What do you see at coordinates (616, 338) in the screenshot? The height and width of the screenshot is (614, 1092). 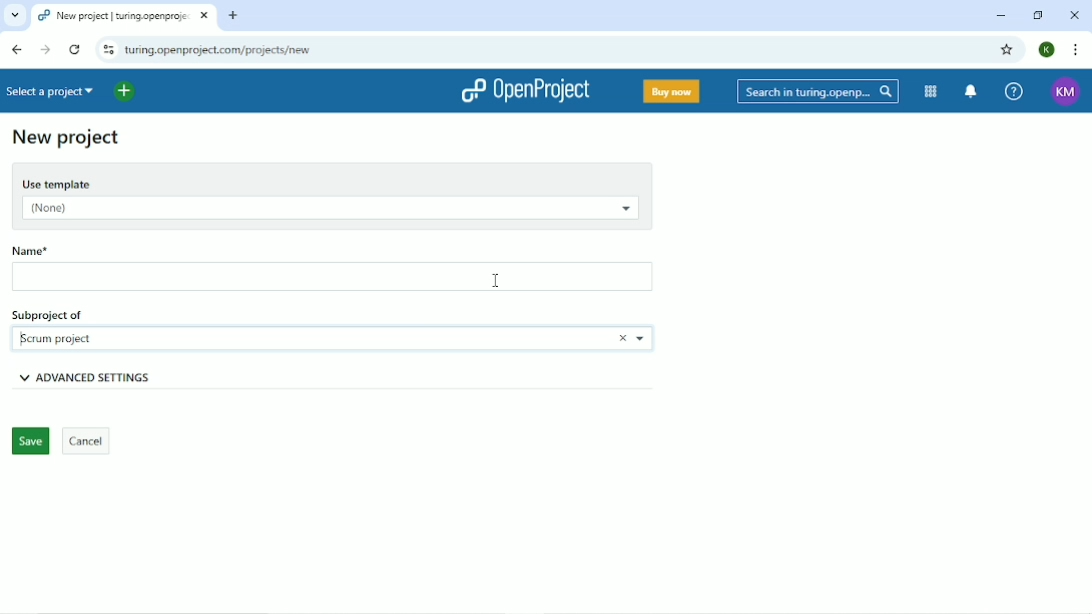 I see `Close` at bounding box center [616, 338].